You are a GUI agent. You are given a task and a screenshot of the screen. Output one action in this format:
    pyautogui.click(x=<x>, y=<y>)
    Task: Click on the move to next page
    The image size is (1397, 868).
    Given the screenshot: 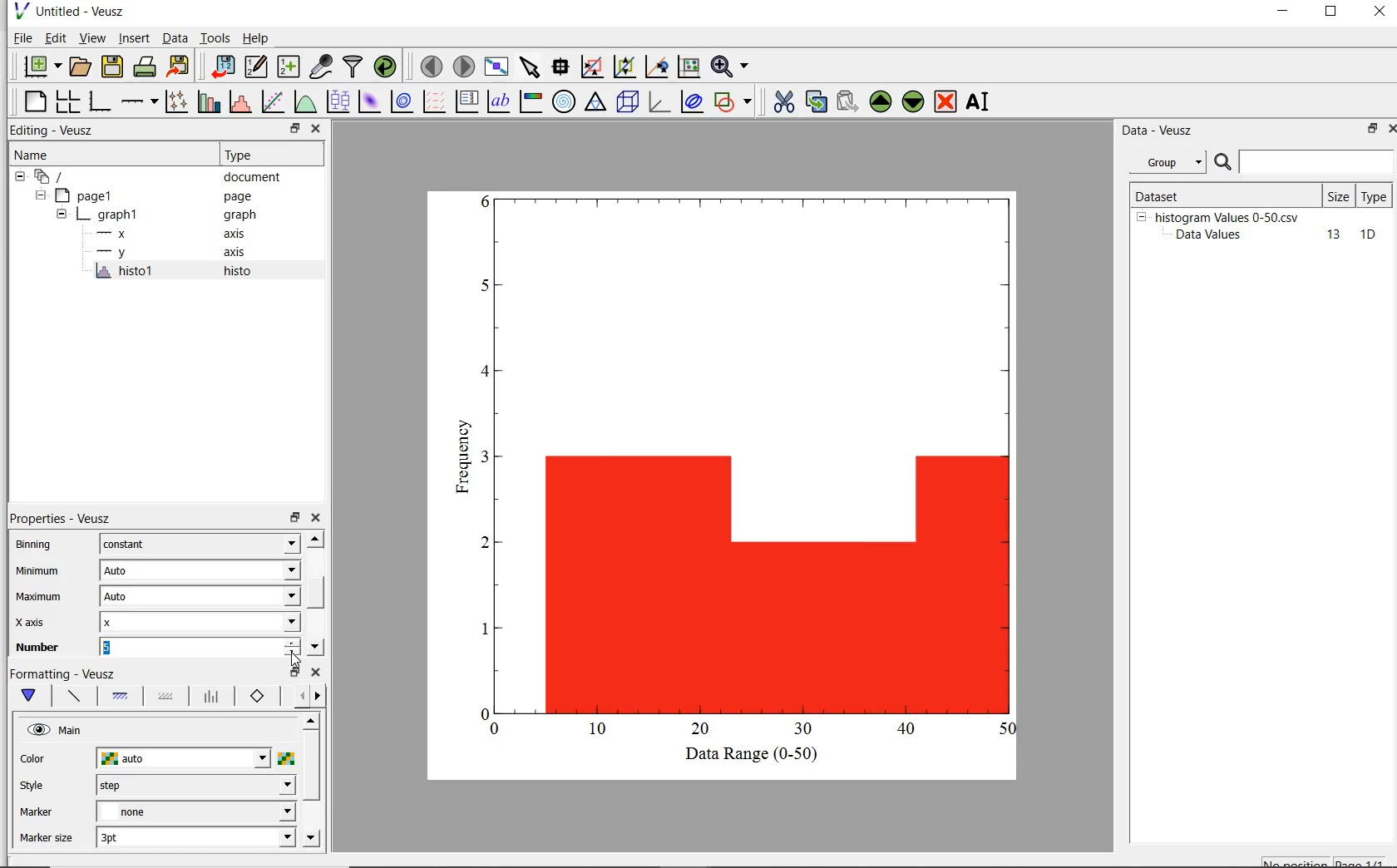 What is the action you would take?
    pyautogui.click(x=465, y=66)
    